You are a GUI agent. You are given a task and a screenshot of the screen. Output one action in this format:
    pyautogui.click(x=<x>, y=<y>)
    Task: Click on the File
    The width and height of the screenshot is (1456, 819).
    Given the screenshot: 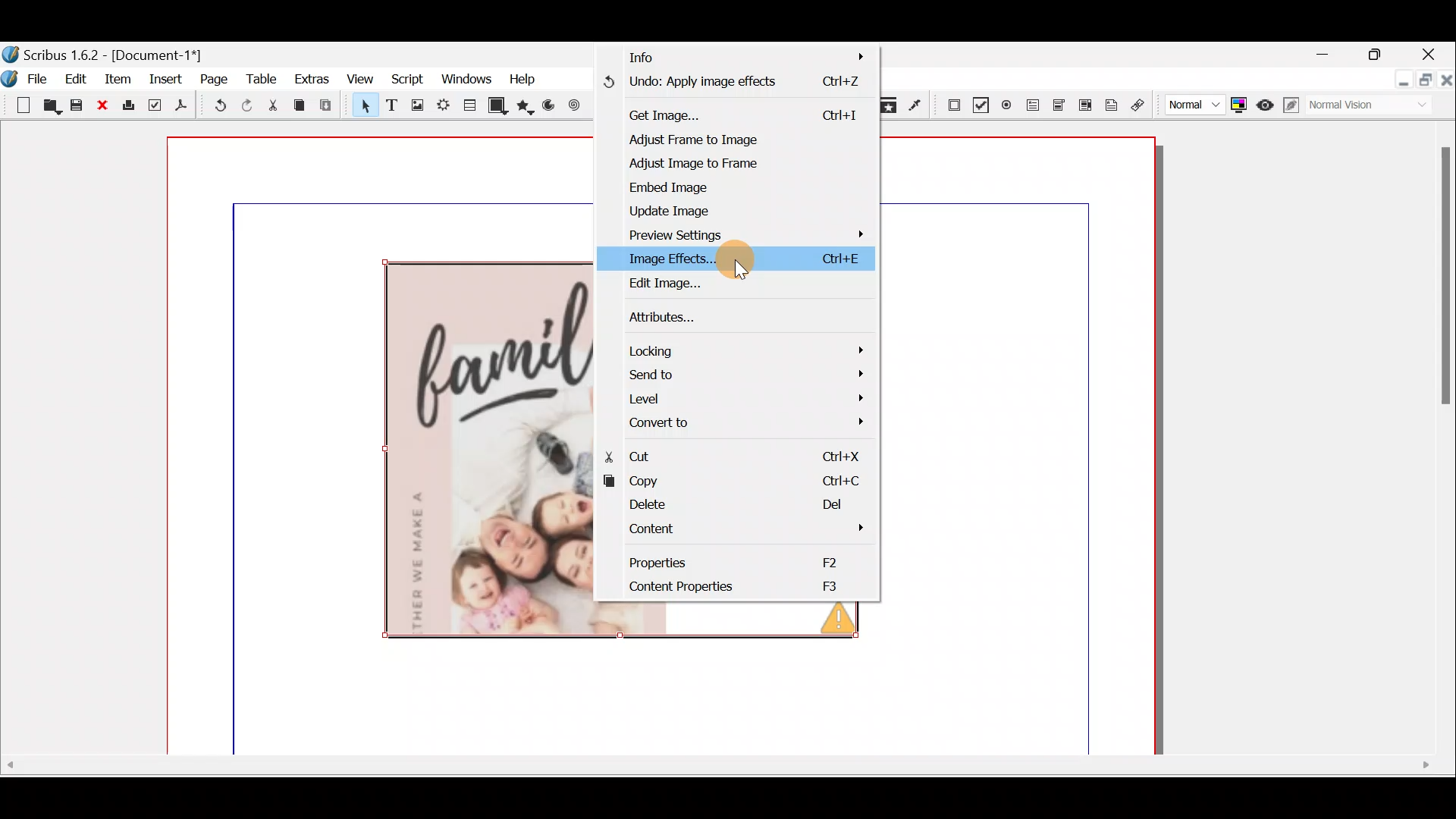 What is the action you would take?
    pyautogui.click(x=40, y=80)
    